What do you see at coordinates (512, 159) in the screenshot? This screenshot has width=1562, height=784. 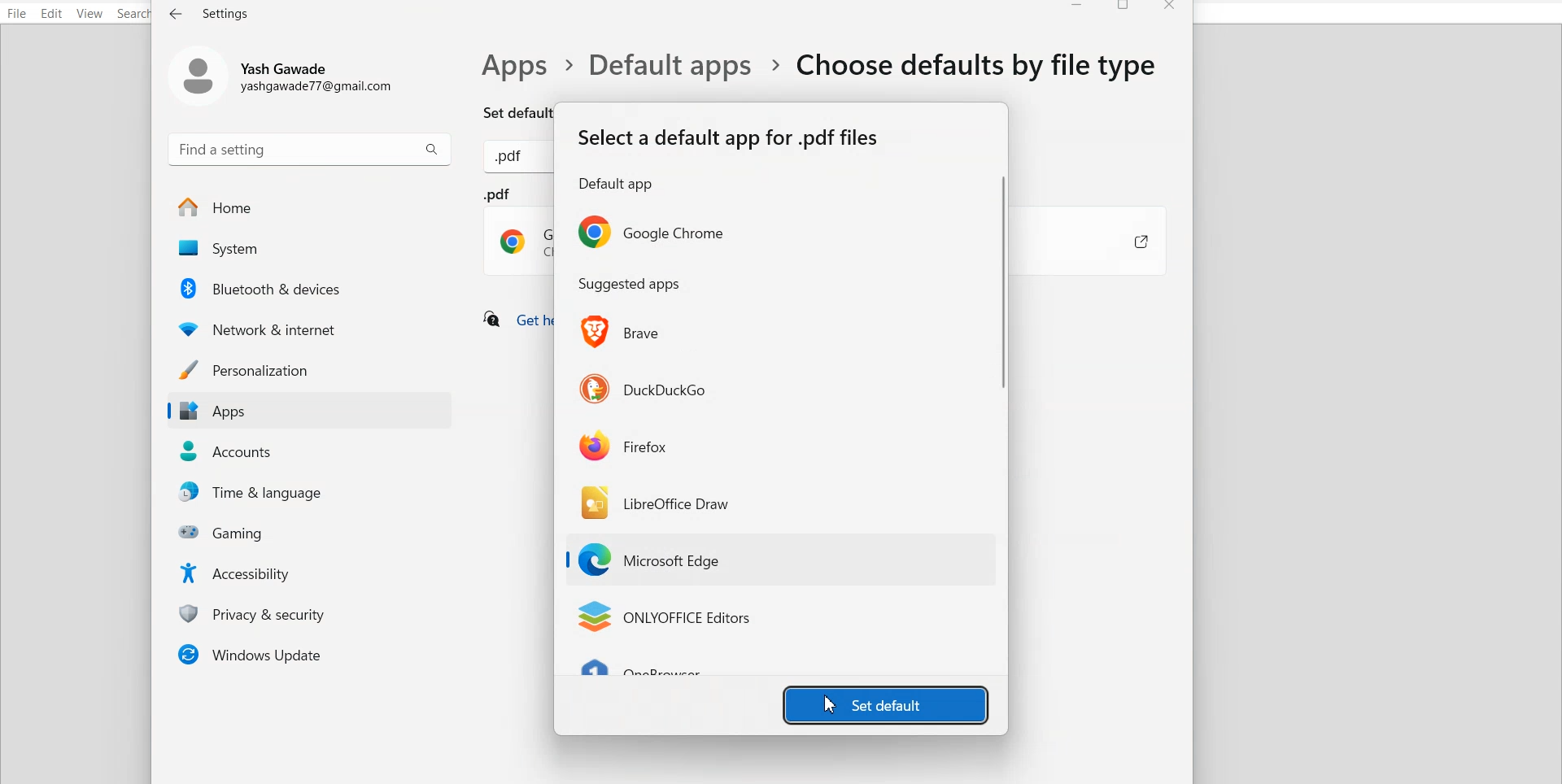 I see `Text` at bounding box center [512, 159].